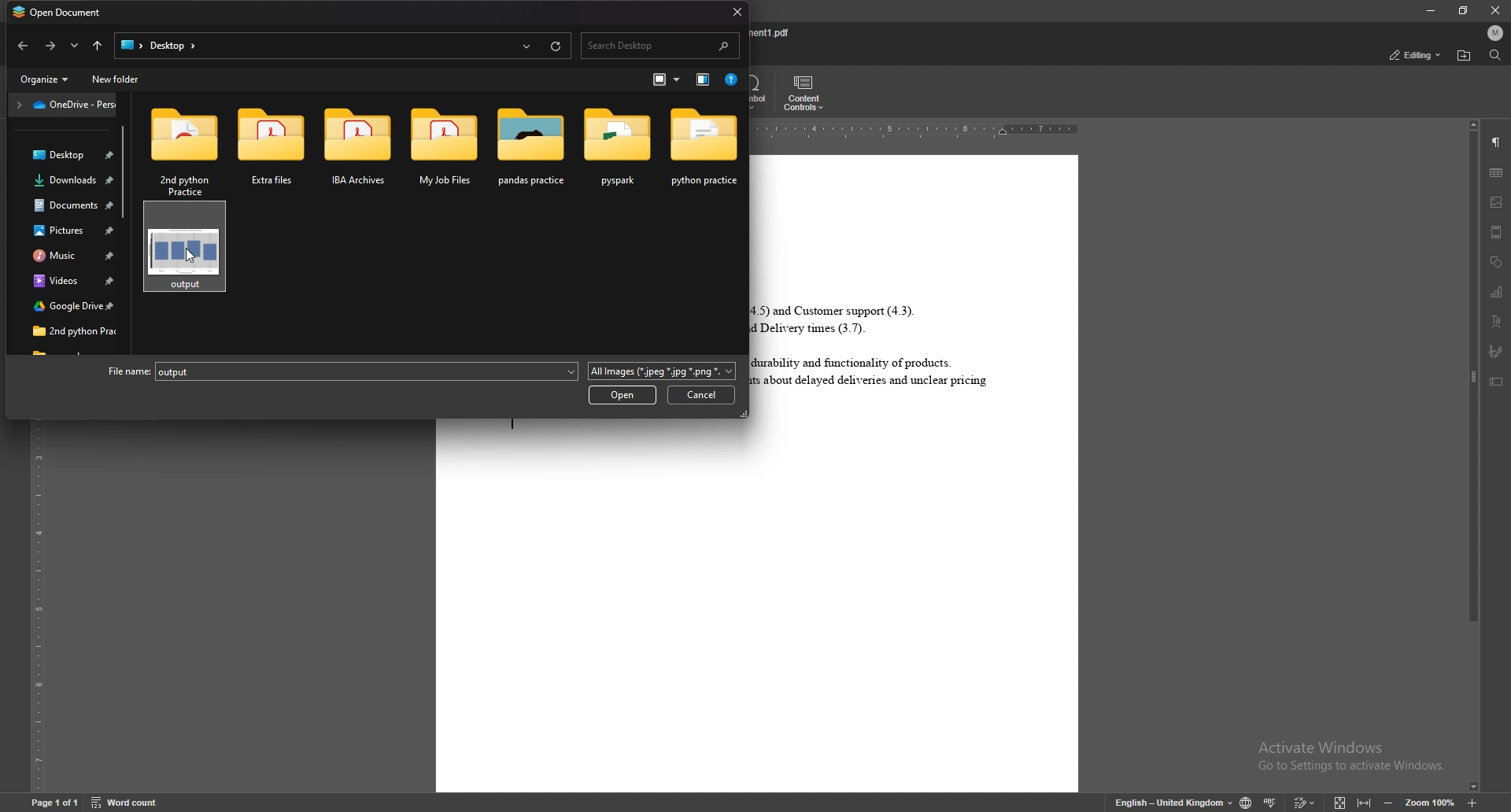  I want to click on folder, so click(179, 148).